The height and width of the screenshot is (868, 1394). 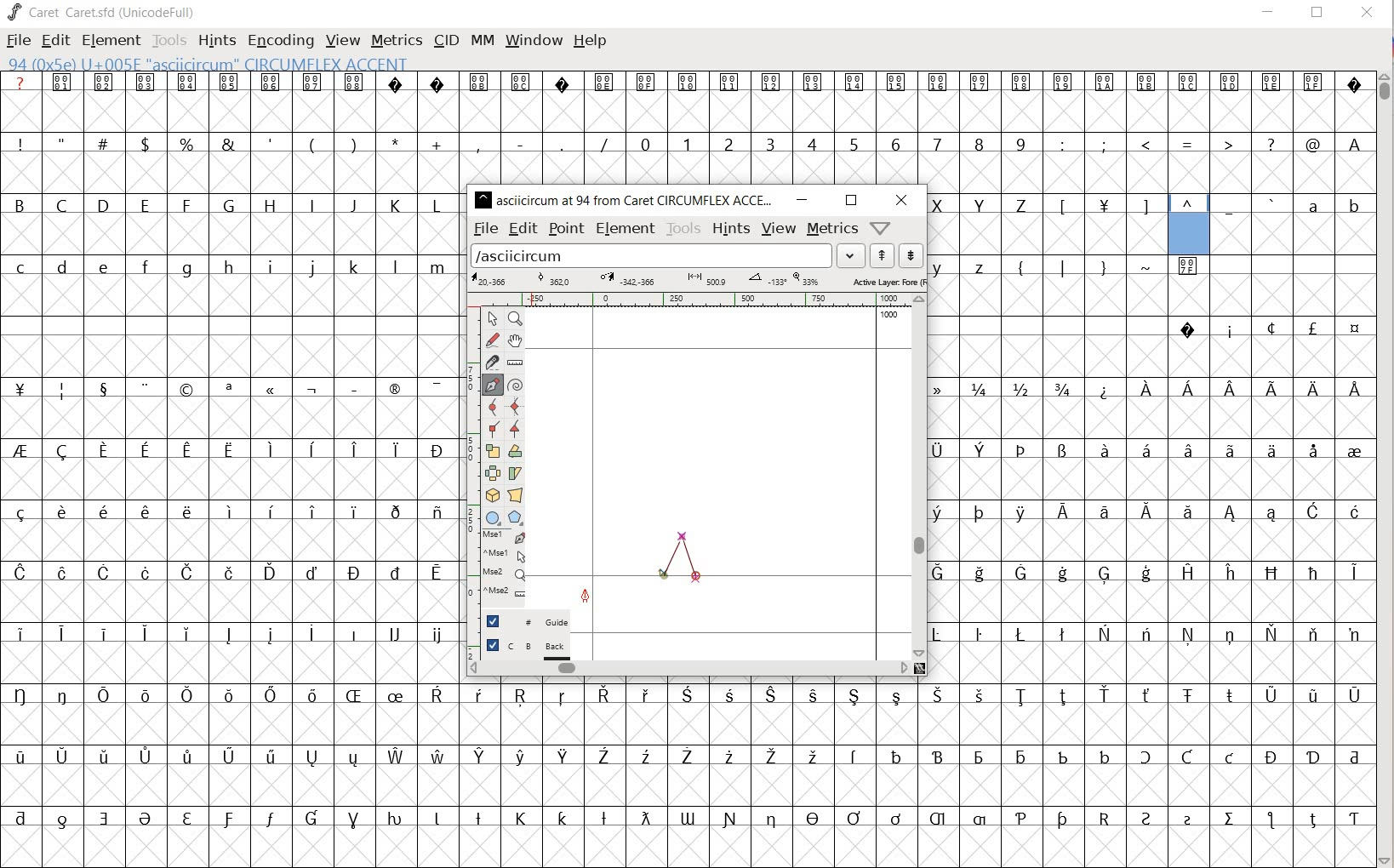 I want to click on 94 0xSe U+00SE "asciicircum CIRCUMFLEX ACCENT, so click(x=269, y=65).